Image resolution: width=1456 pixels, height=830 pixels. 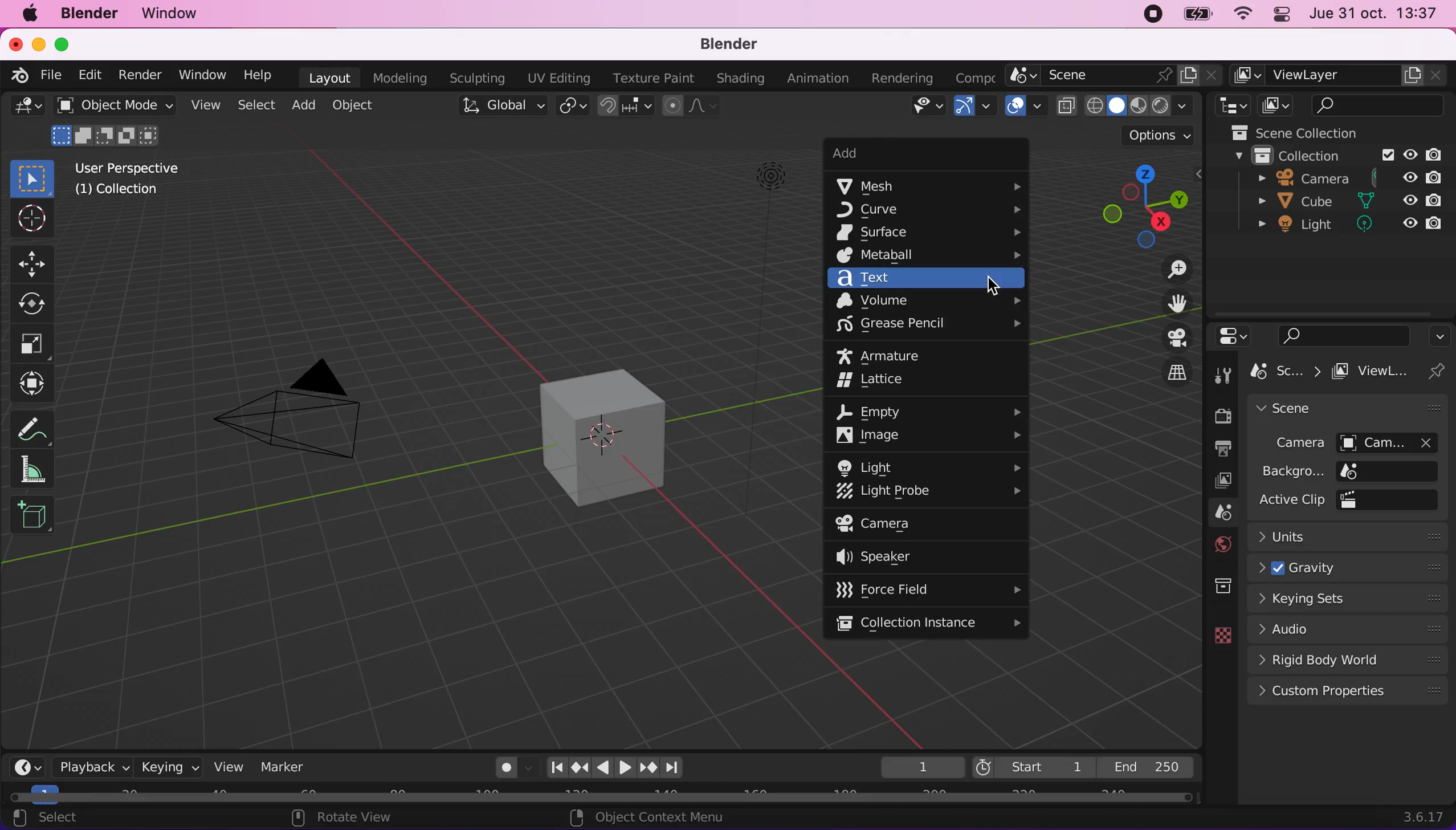 I want to click on mesh, so click(x=931, y=187).